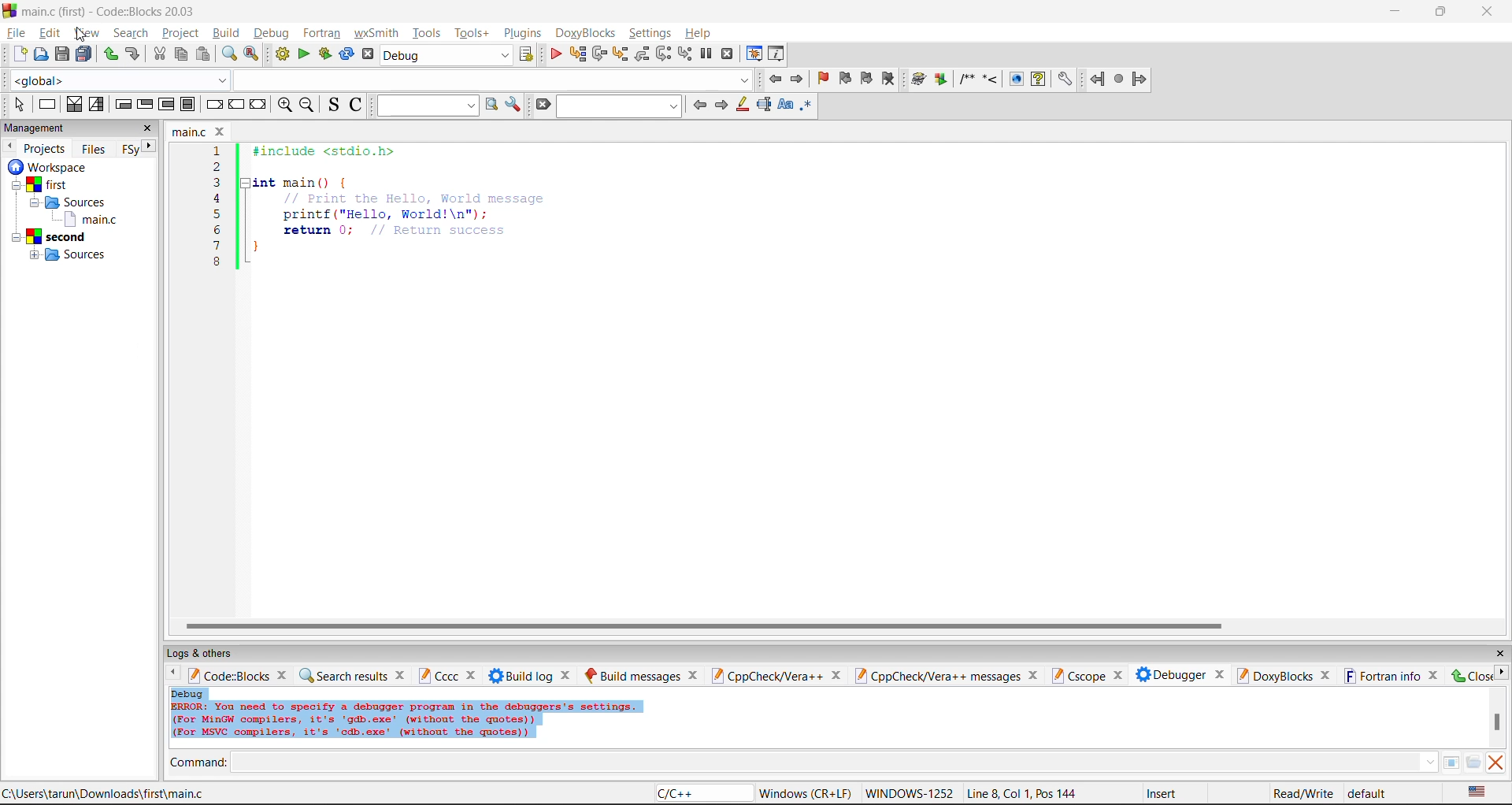  Describe the element at coordinates (236, 104) in the screenshot. I see `continue instruction` at that location.